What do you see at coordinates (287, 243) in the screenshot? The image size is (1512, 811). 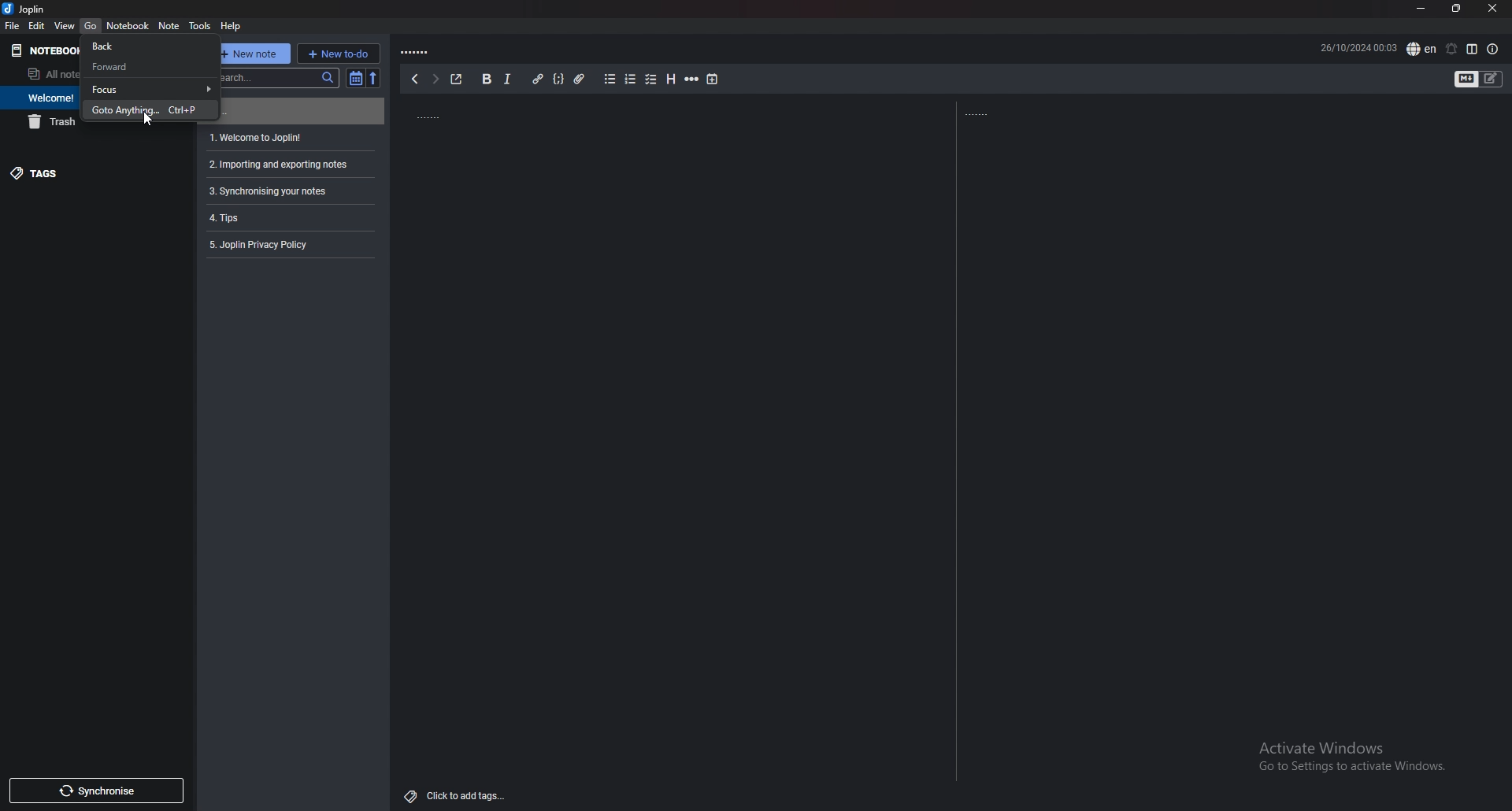 I see `note 6` at bounding box center [287, 243].